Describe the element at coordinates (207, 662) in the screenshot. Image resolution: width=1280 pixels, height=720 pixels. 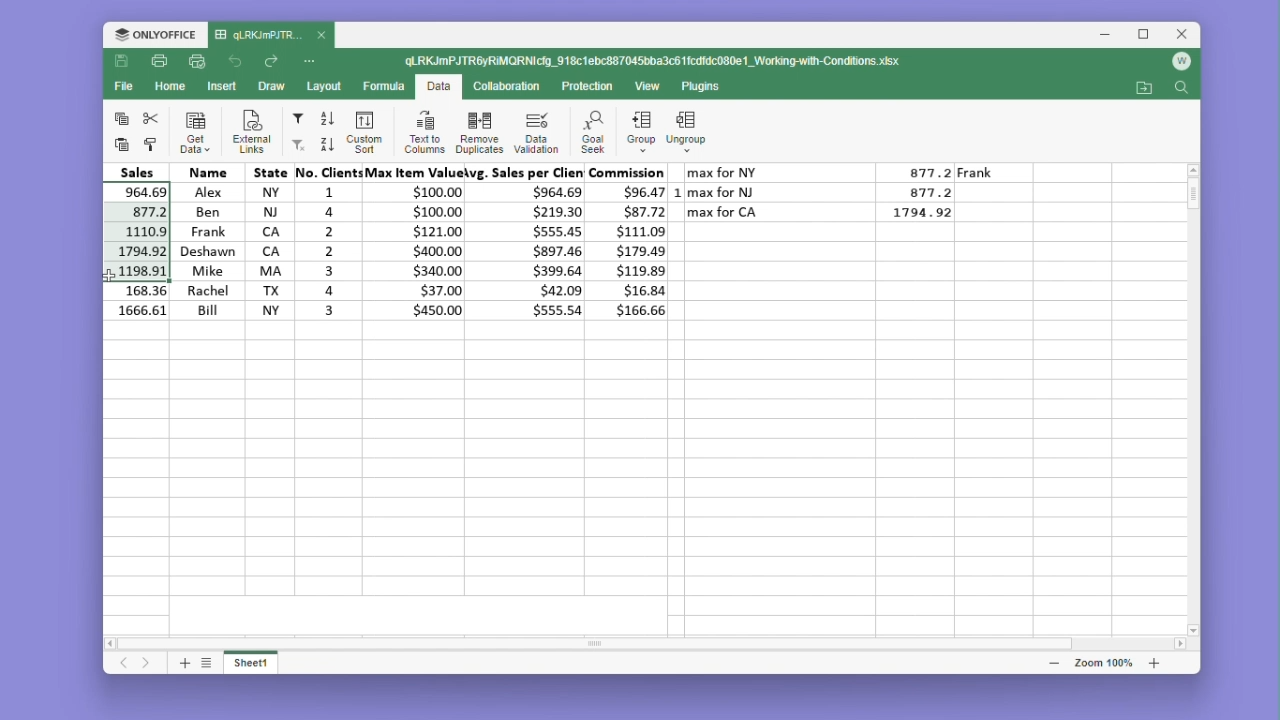
I see `list sheets` at that location.